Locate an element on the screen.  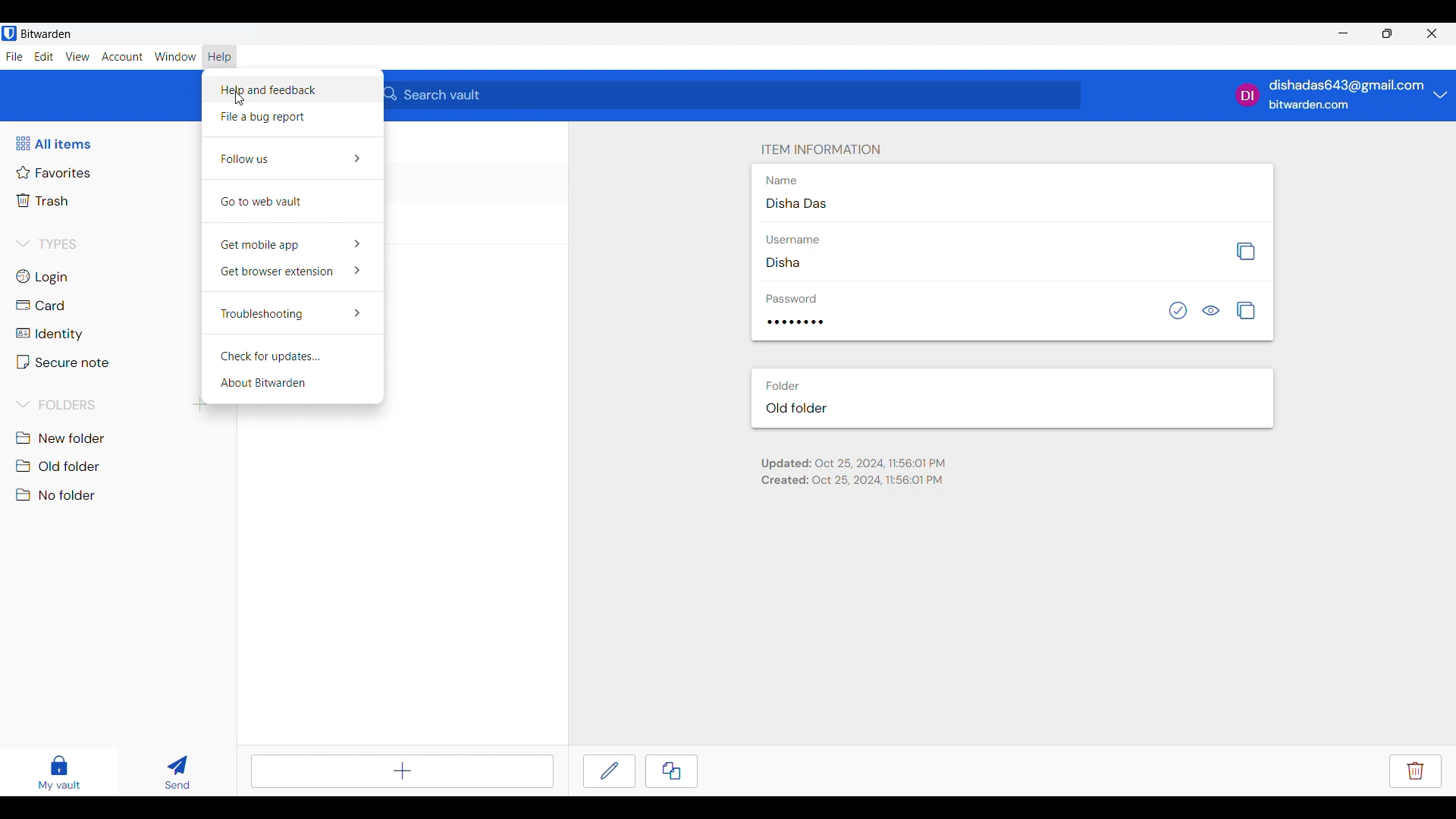
Minimize is located at coordinates (1344, 33).